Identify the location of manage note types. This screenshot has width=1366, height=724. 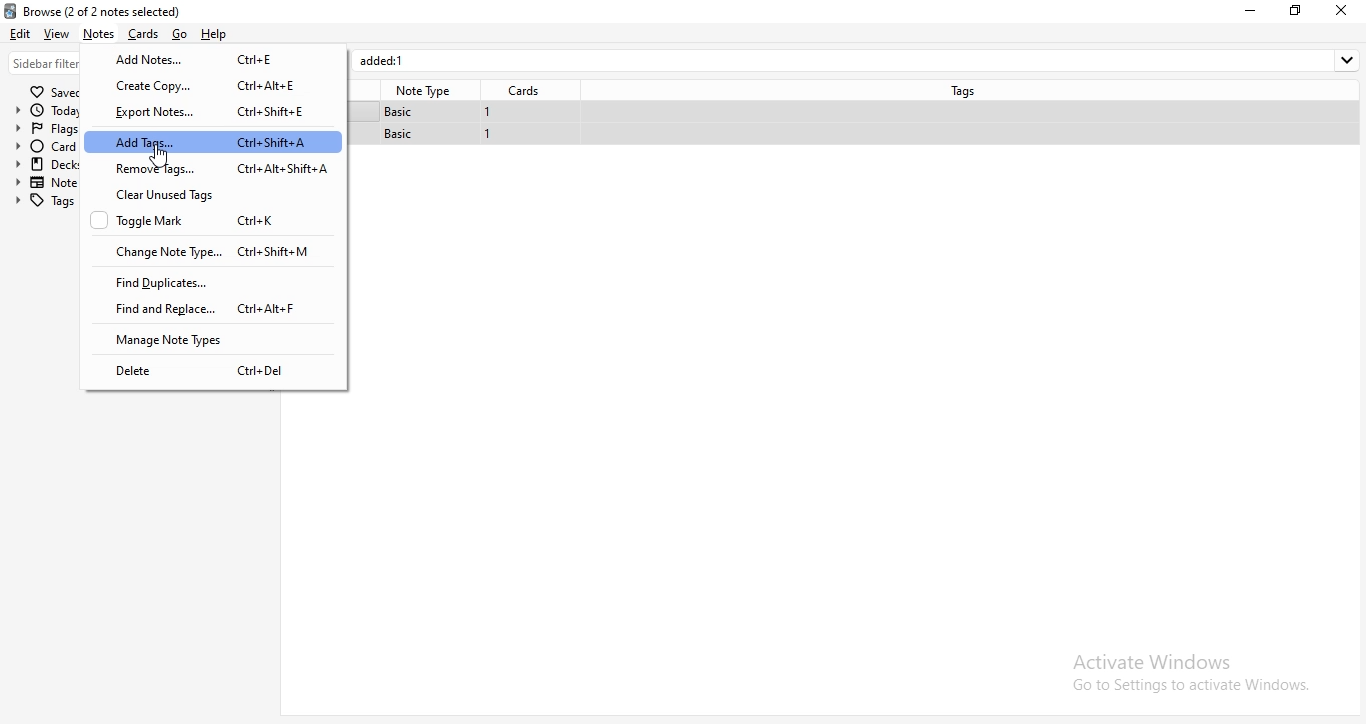
(182, 341).